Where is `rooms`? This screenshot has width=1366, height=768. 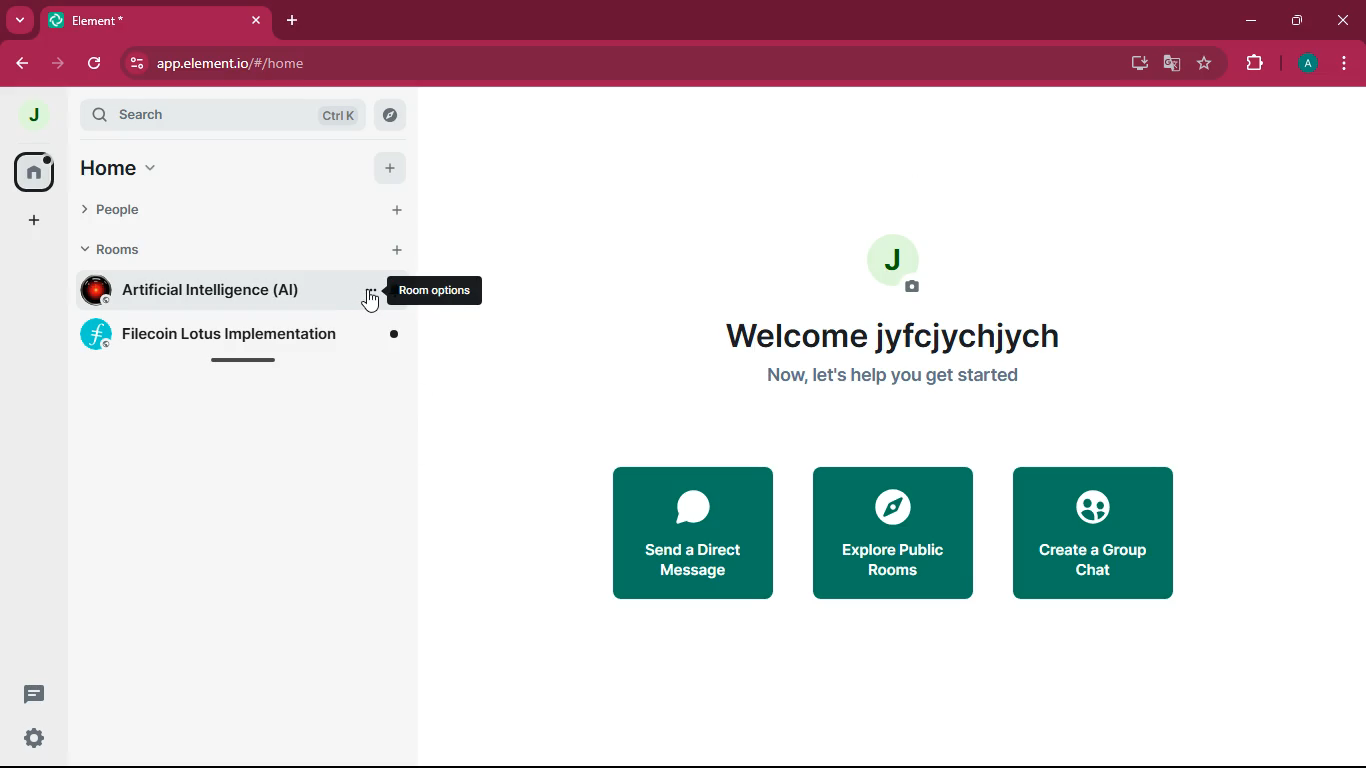
rooms is located at coordinates (237, 336).